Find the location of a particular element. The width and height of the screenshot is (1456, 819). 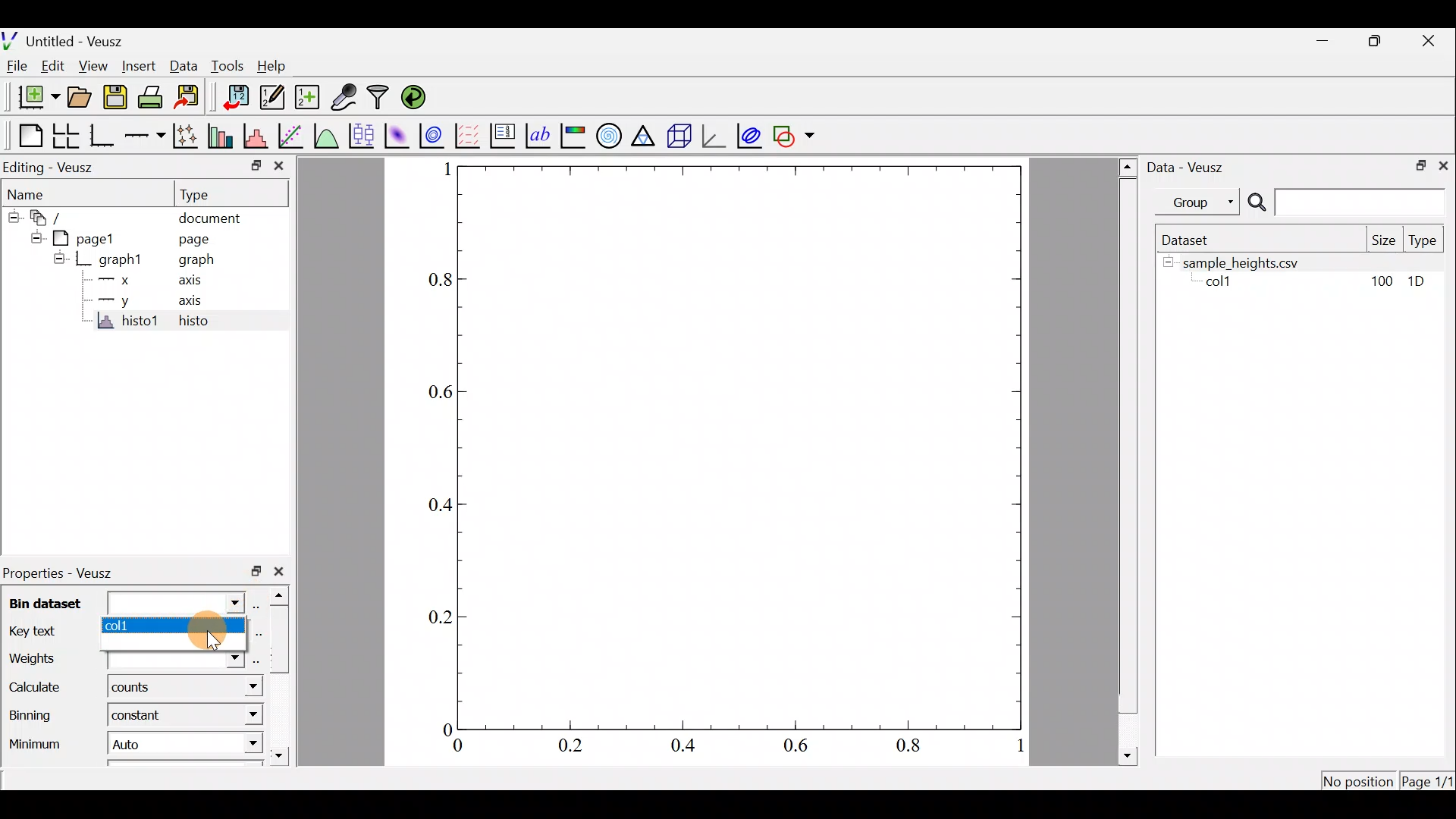

save the document is located at coordinates (115, 98).